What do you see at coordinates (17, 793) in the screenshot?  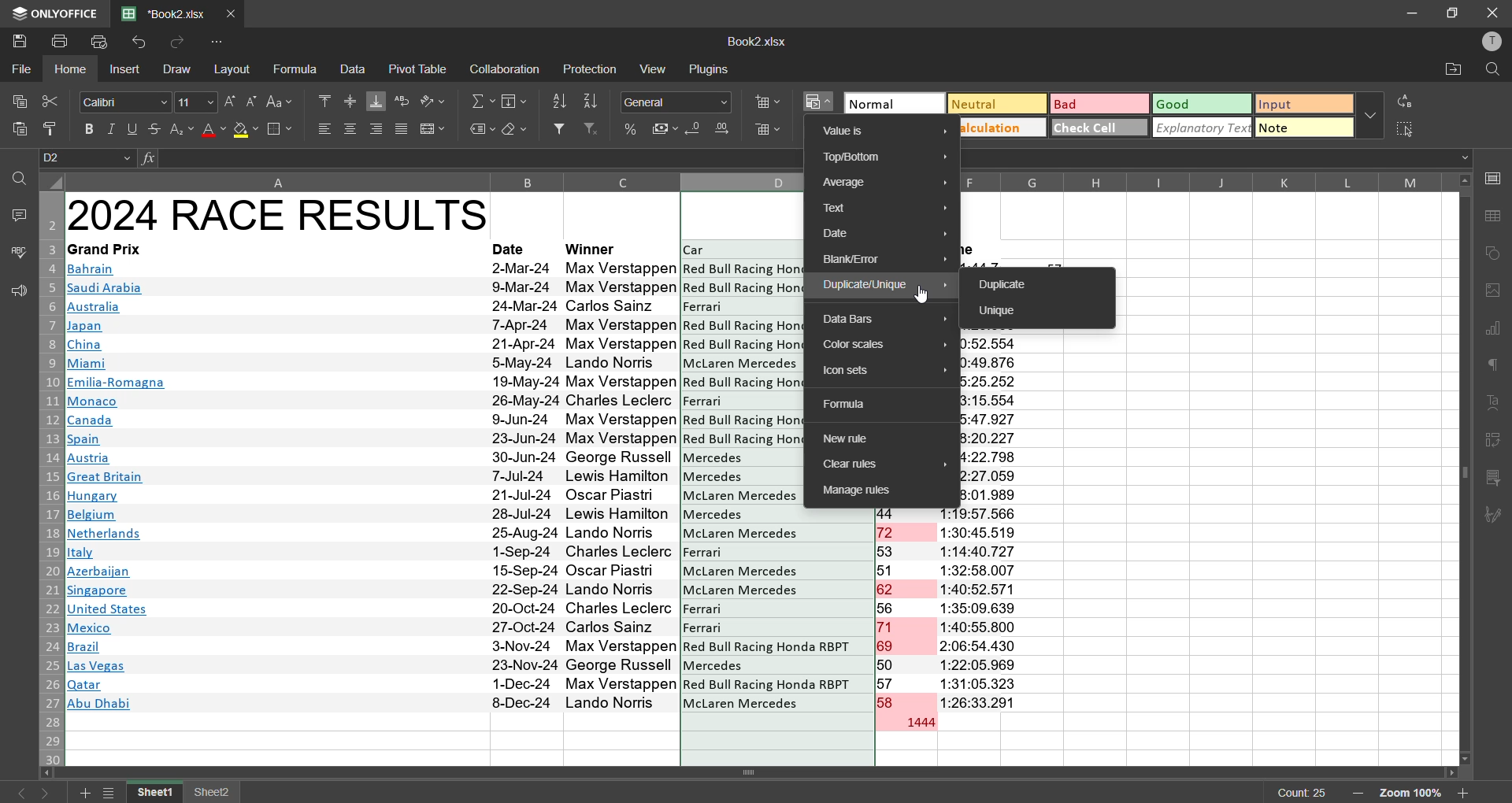 I see `previous` at bounding box center [17, 793].